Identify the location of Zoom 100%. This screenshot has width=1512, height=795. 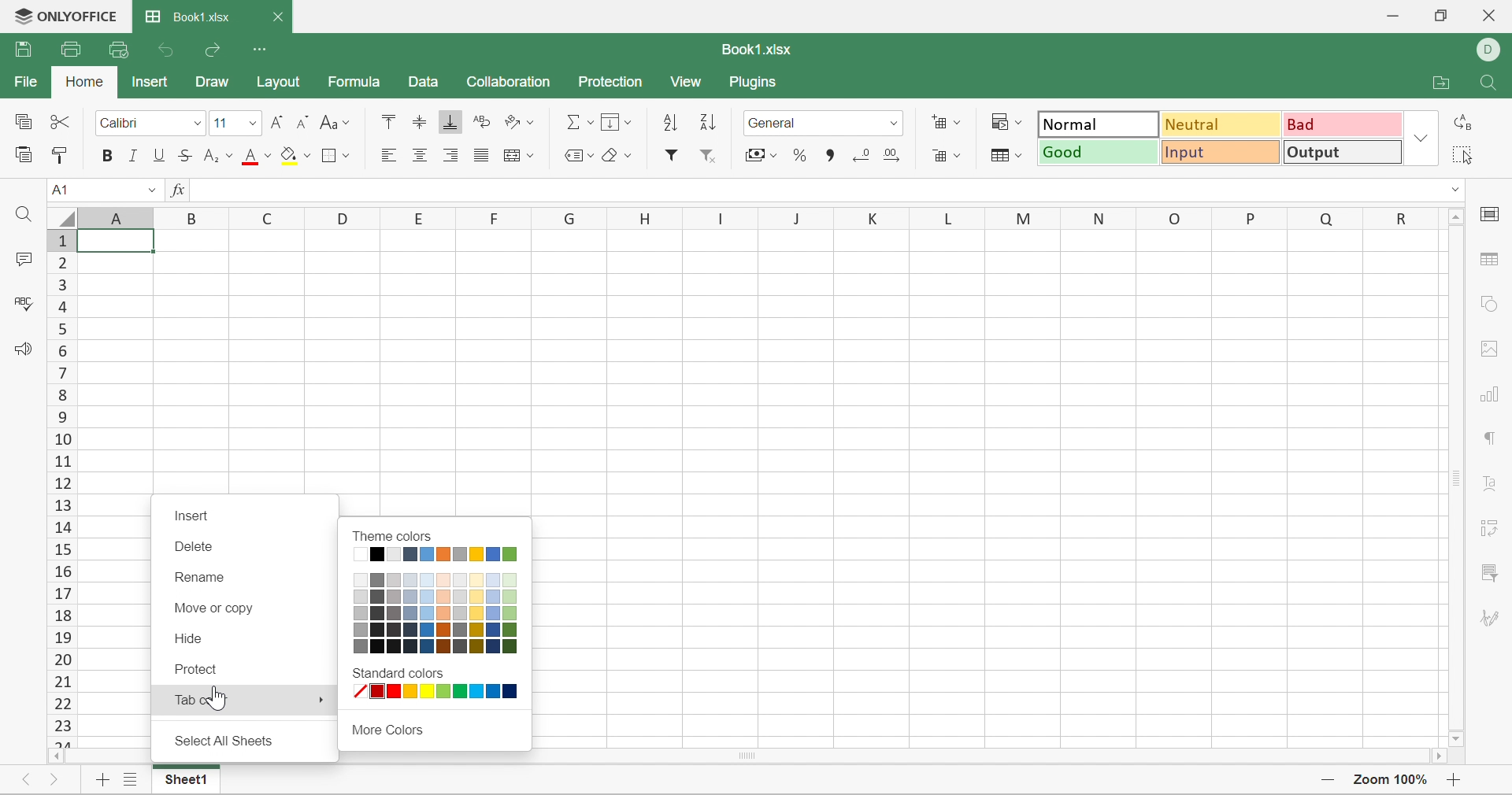
(1392, 782).